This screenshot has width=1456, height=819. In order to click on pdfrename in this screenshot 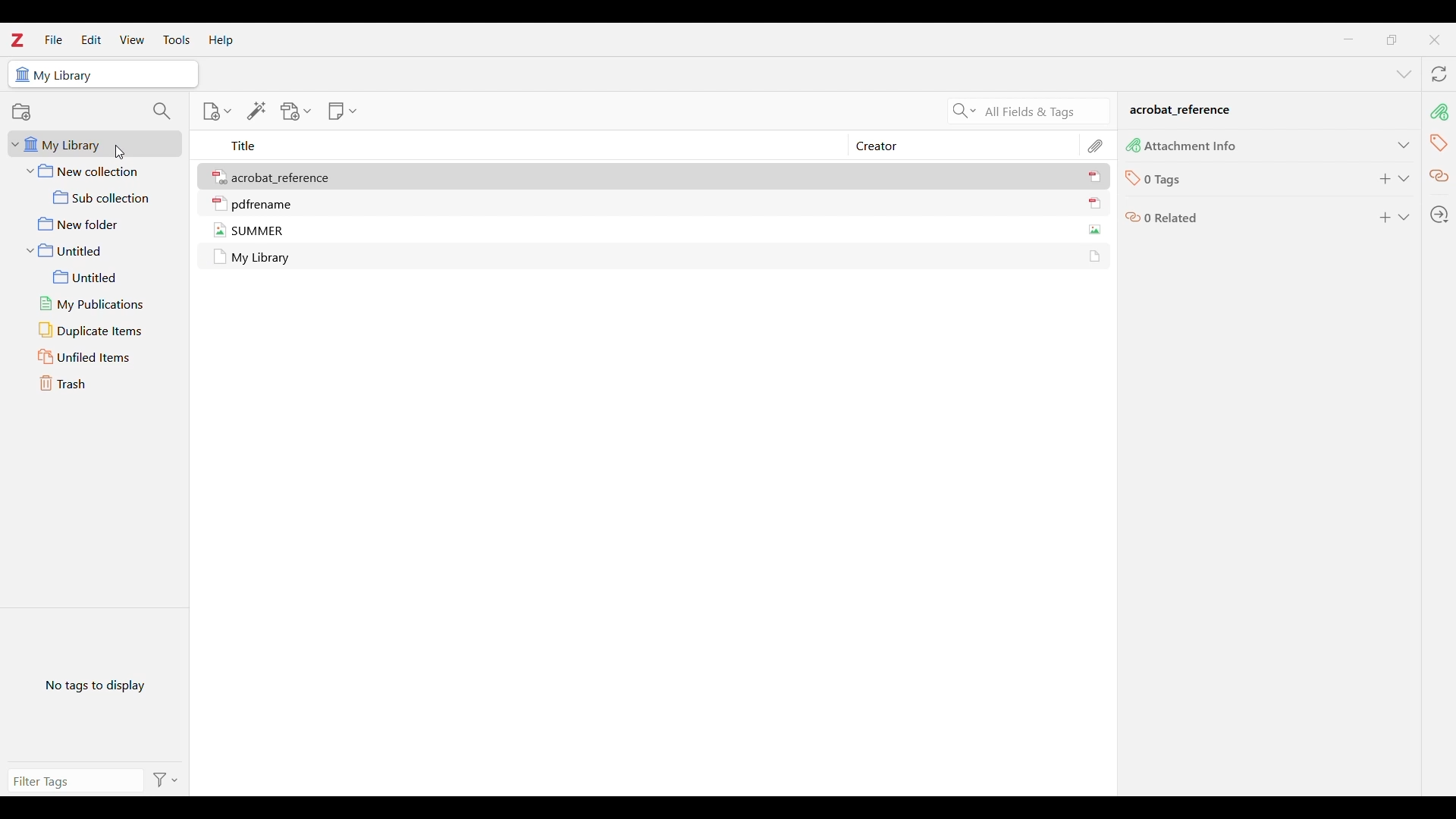, I will do `click(262, 205)`.